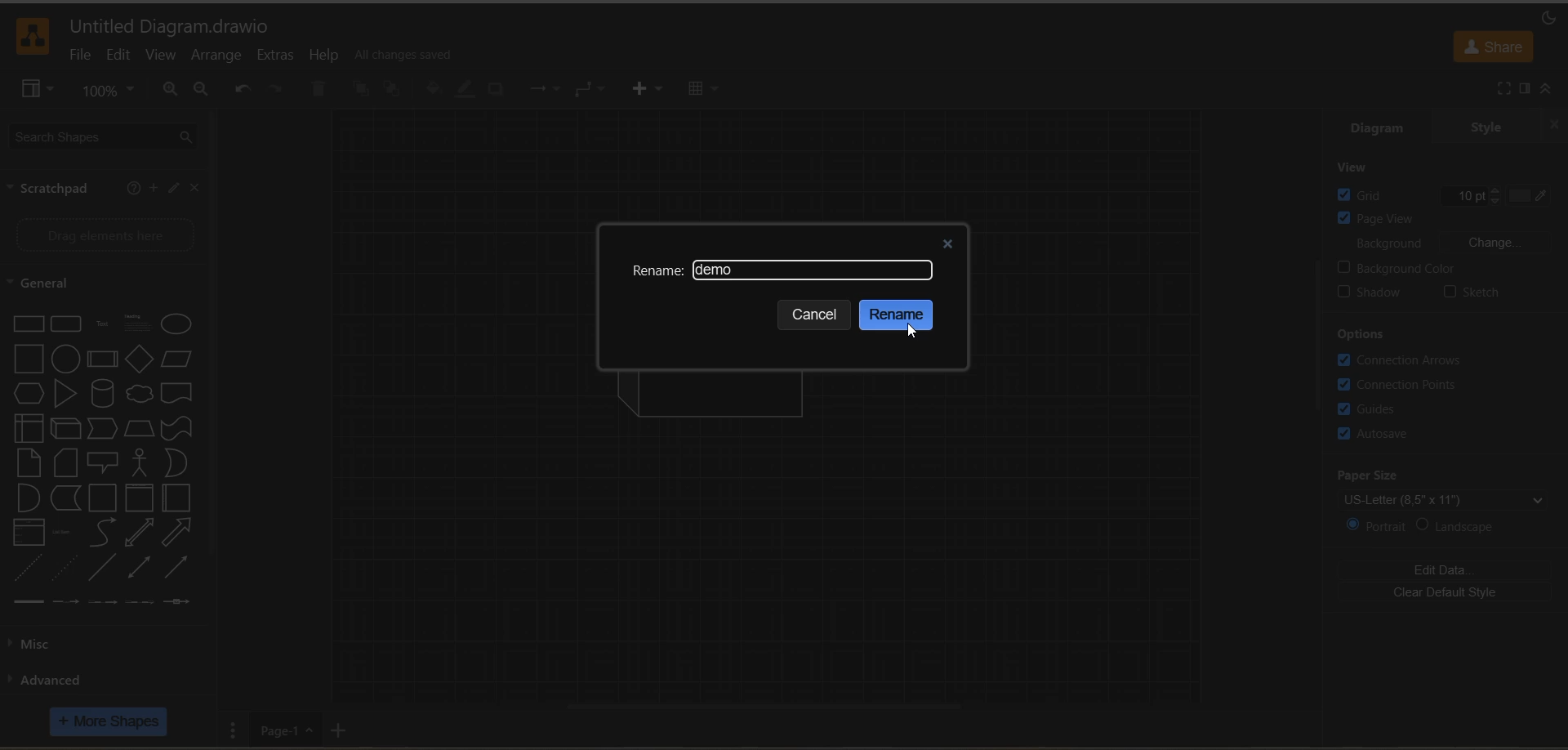  Describe the element at coordinates (175, 26) in the screenshot. I see `file name - Untitled Diagram.drawio` at that location.